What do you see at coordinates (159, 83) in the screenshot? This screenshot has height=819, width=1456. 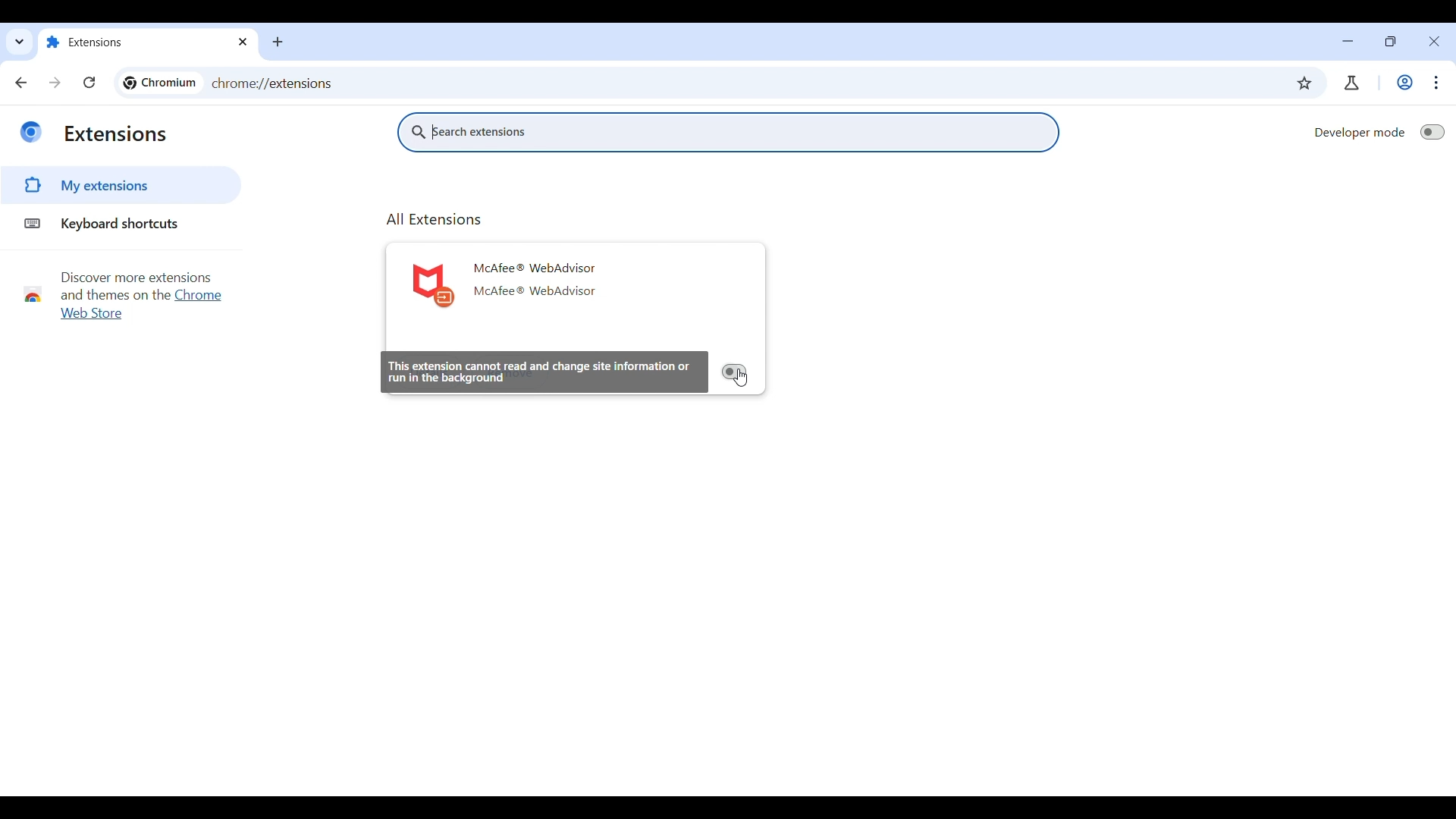 I see `Logo and name of current page` at bounding box center [159, 83].